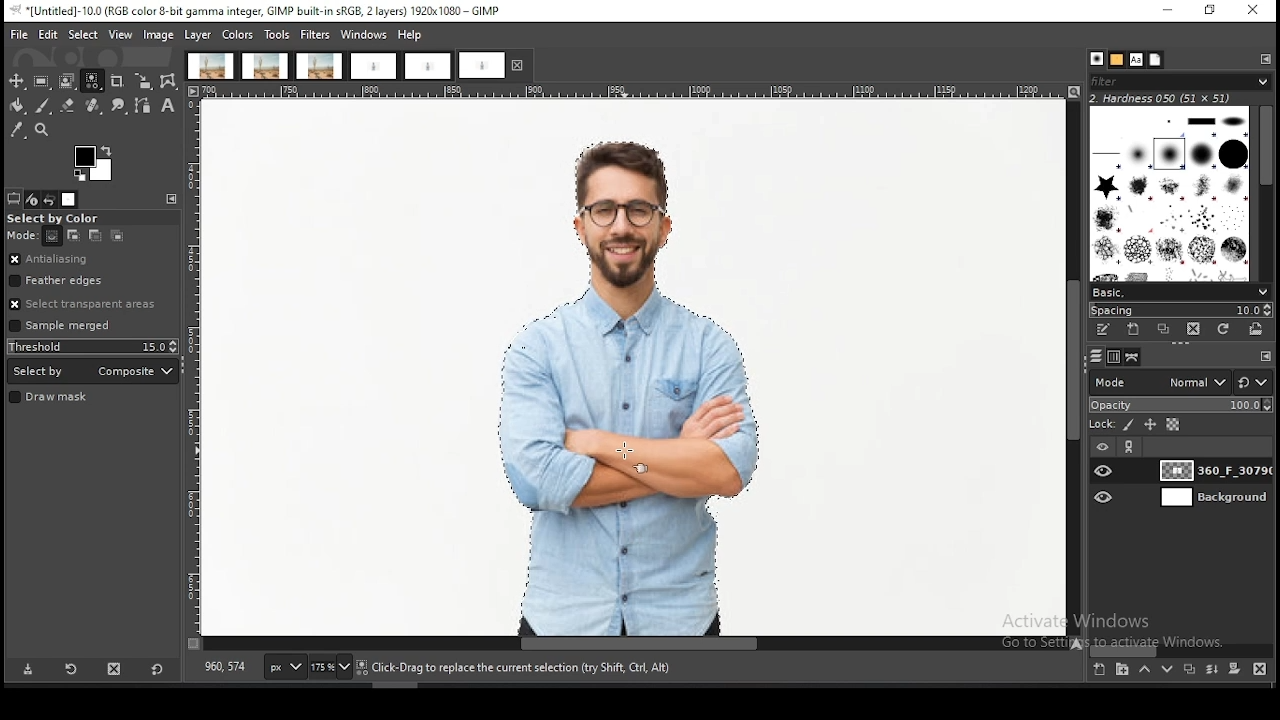 This screenshot has height=720, width=1280. What do you see at coordinates (227, 668) in the screenshot?
I see `775, 465` at bounding box center [227, 668].